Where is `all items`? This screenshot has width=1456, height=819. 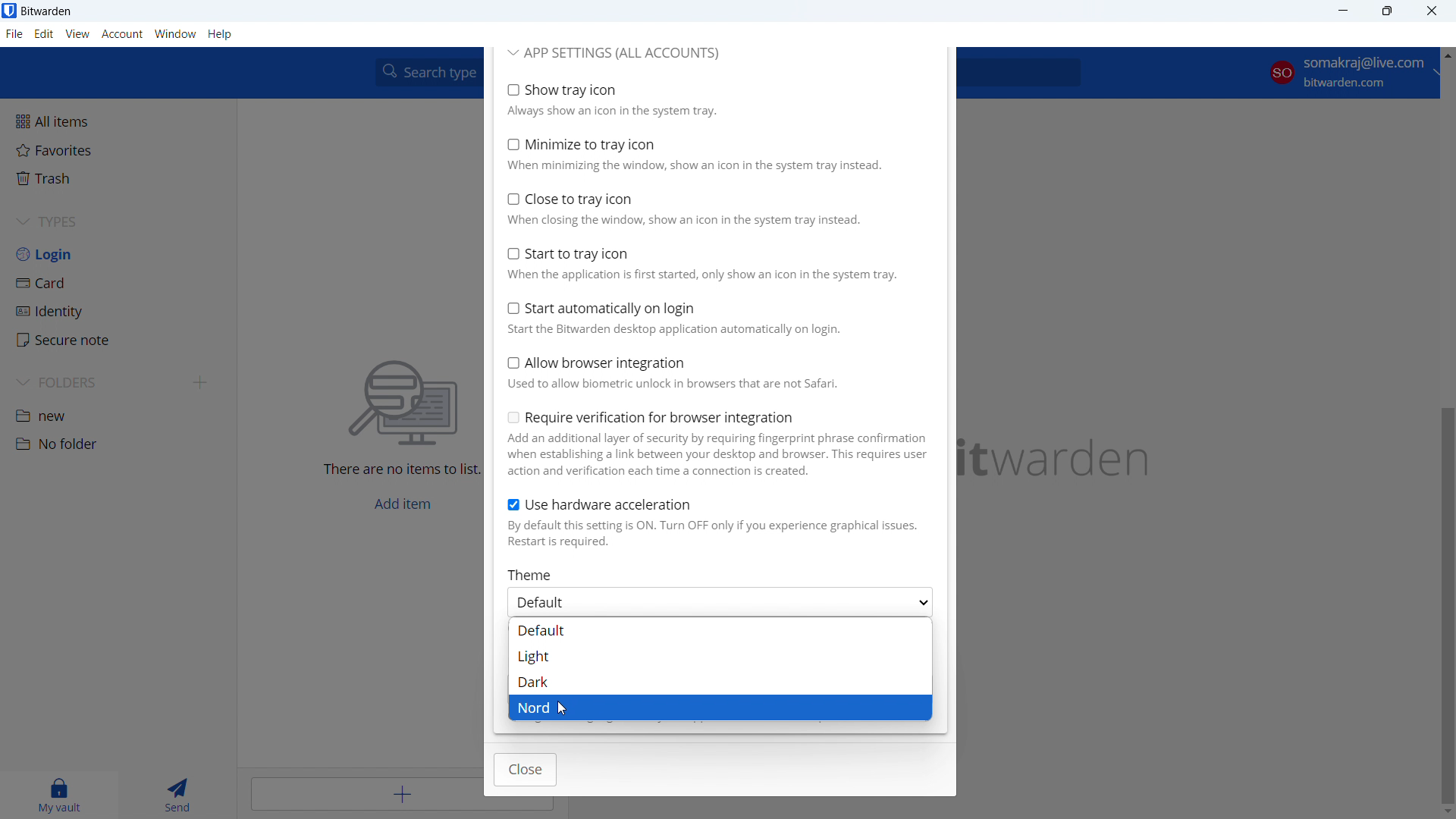 all items is located at coordinates (117, 120).